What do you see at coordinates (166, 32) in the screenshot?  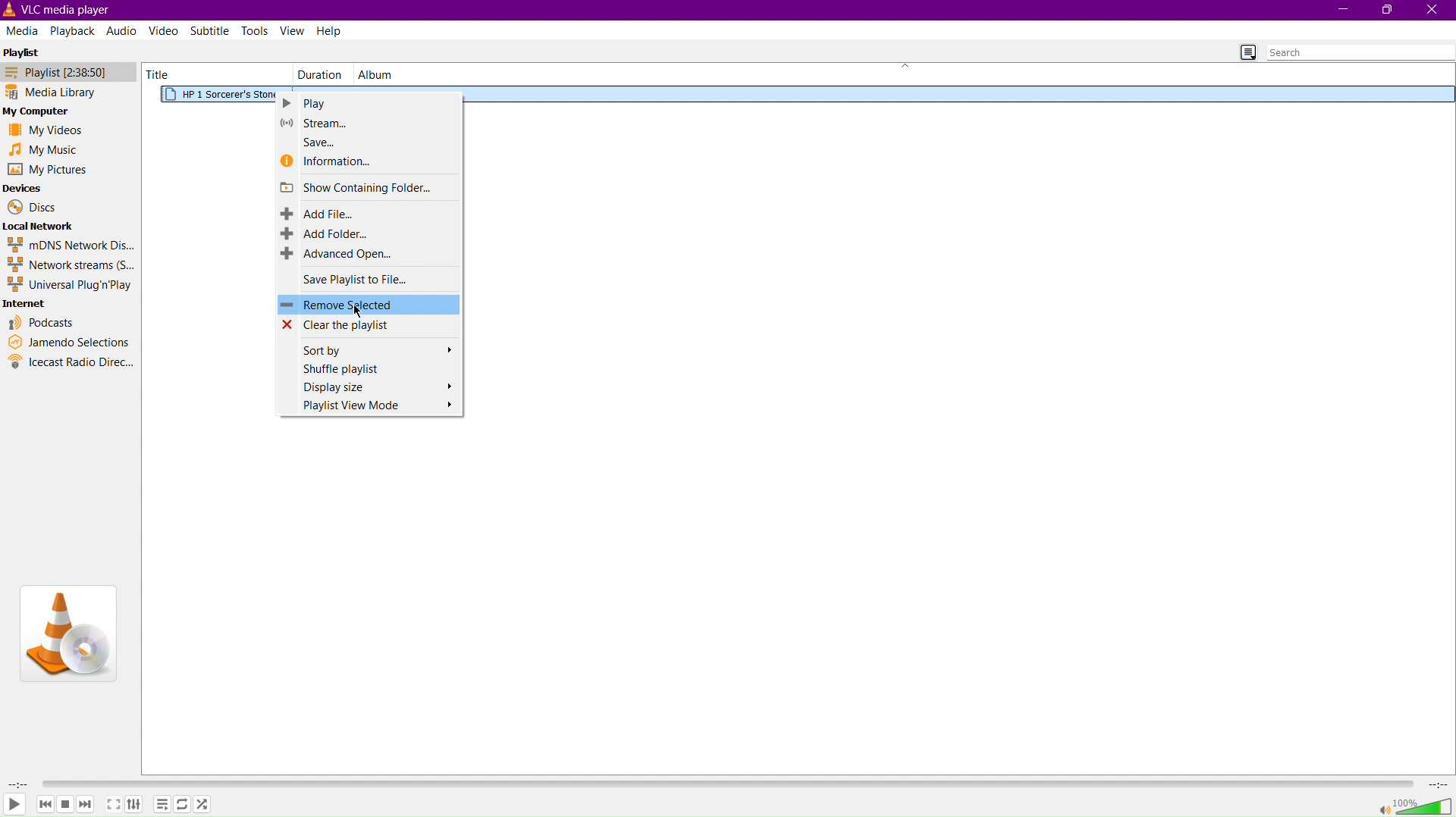 I see `Video` at bounding box center [166, 32].